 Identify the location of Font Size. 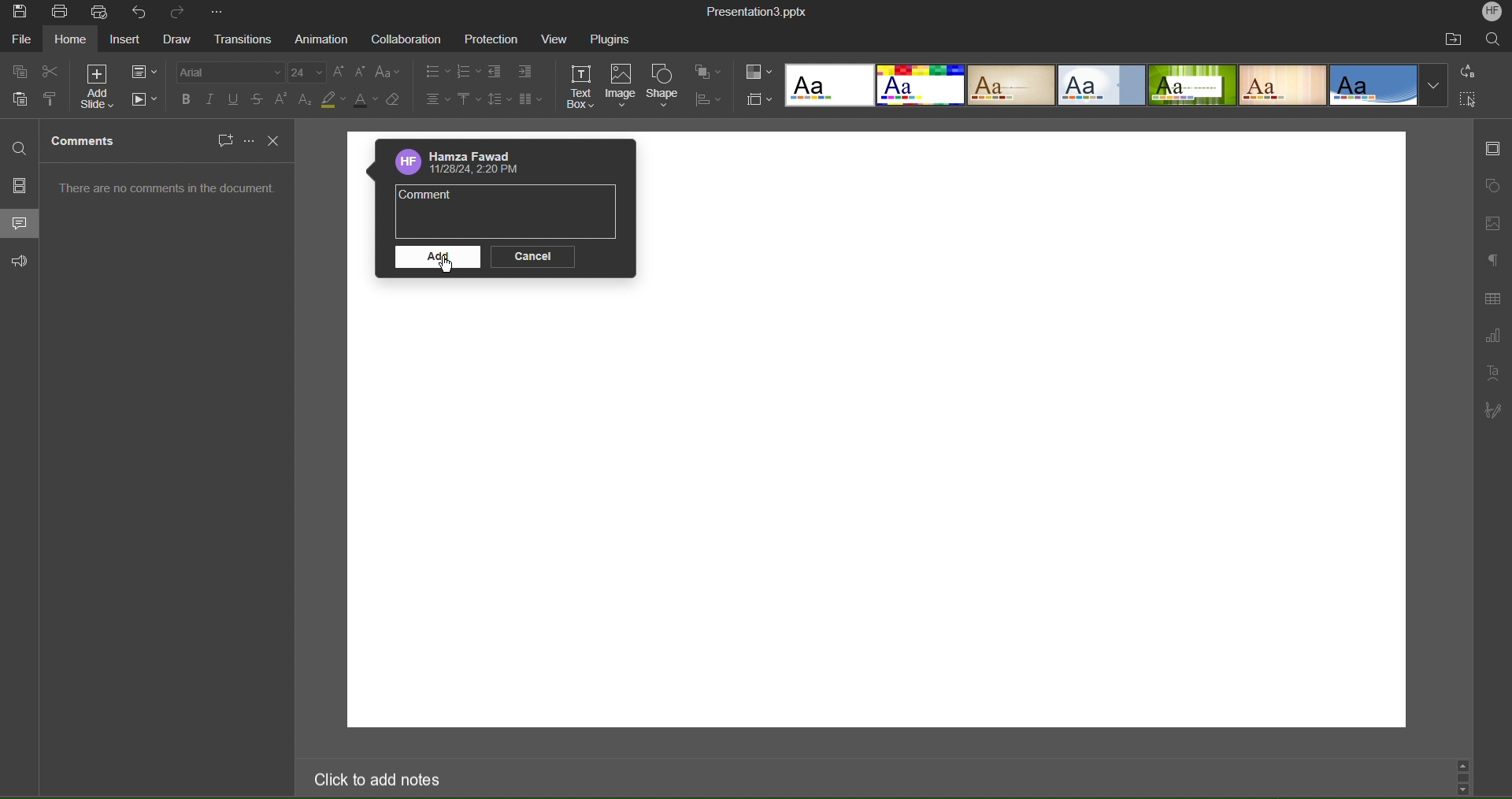
(308, 73).